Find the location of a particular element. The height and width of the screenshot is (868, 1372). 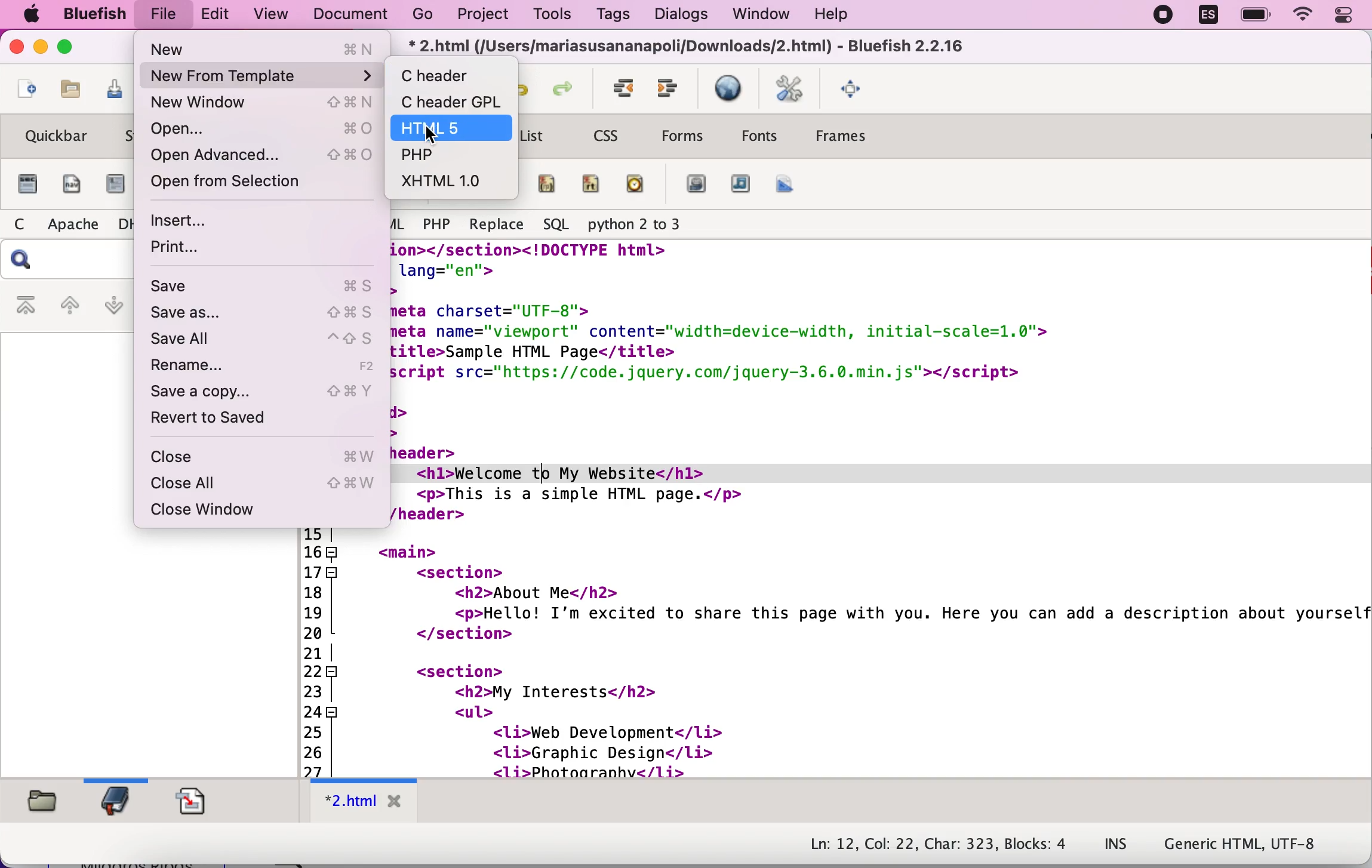

new window is located at coordinates (263, 105).